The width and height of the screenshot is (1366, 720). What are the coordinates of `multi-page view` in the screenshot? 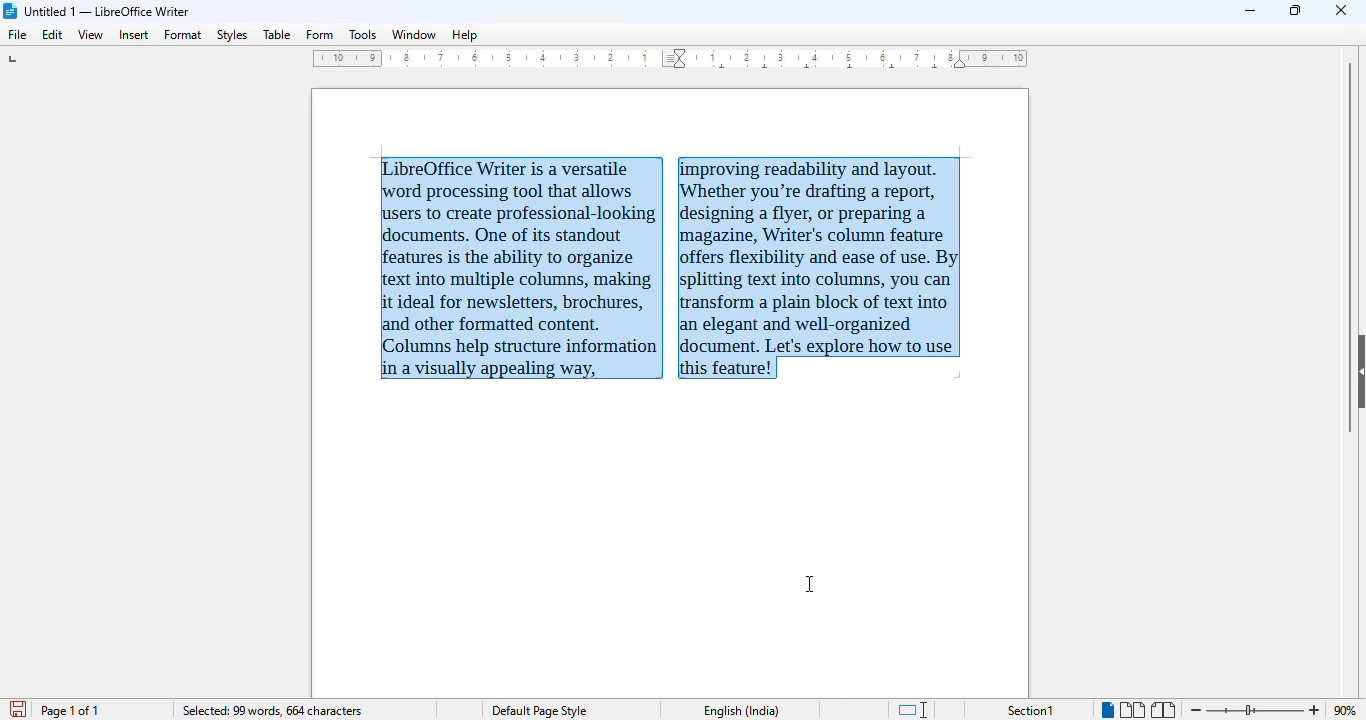 It's located at (1132, 710).